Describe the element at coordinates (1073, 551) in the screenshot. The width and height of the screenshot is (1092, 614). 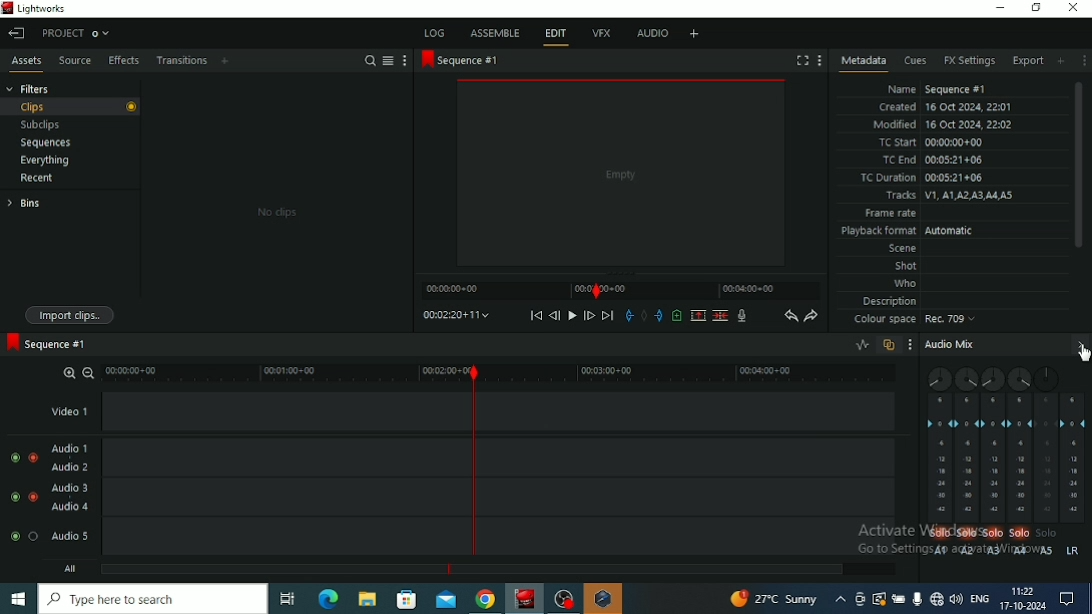
I see `LR` at that location.